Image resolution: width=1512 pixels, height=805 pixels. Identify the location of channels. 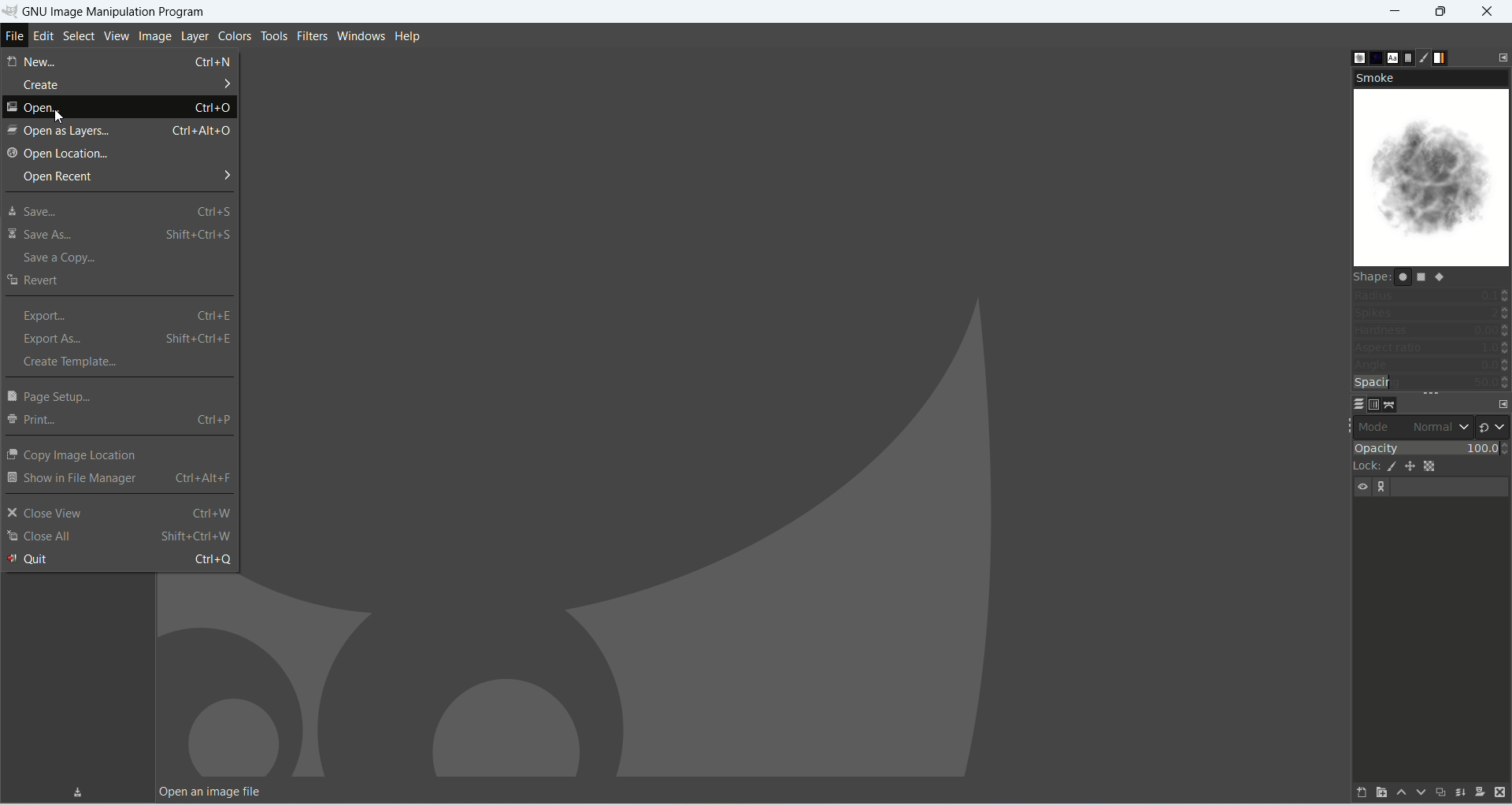
(1377, 404).